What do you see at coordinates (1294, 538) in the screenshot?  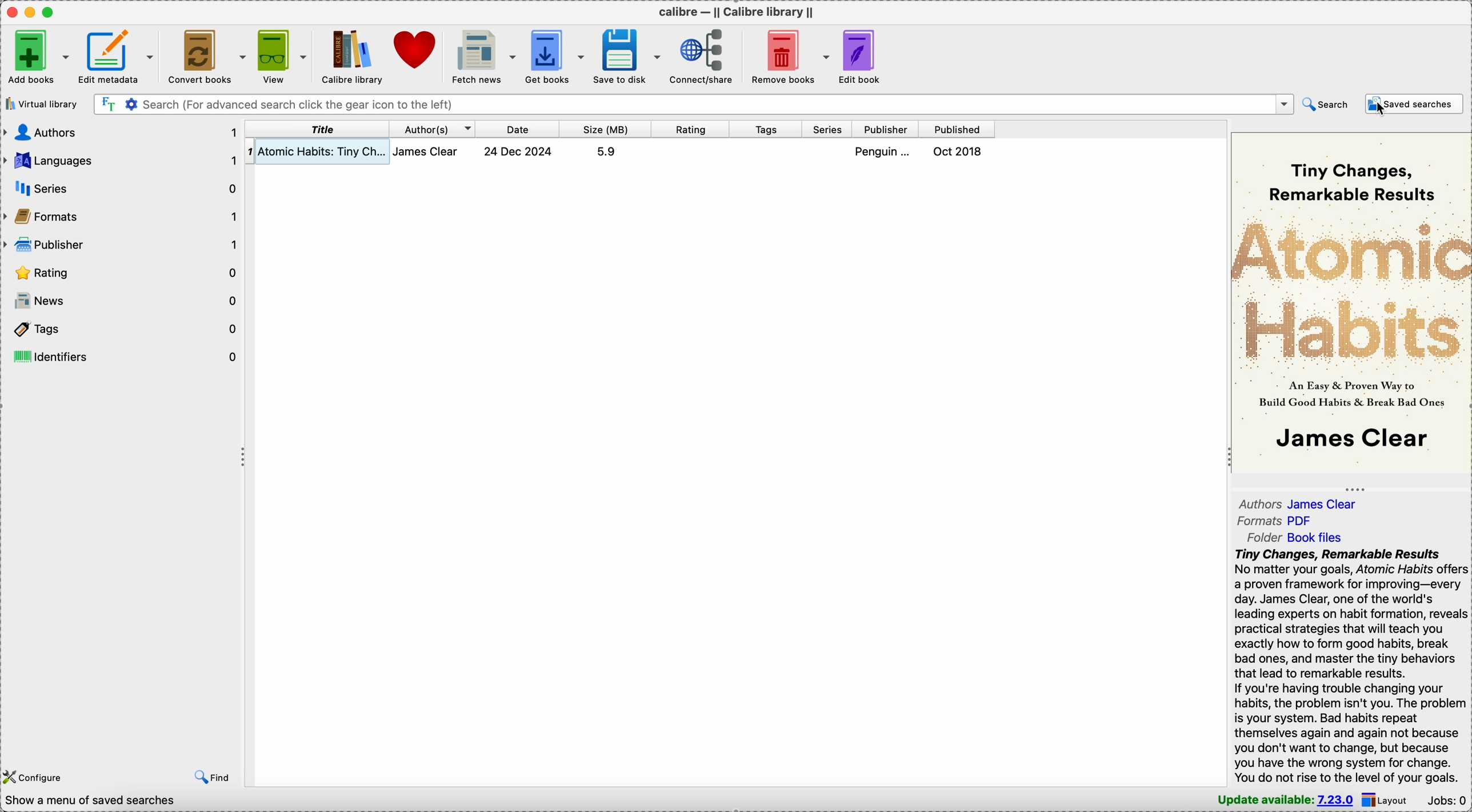 I see `folder Book files` at bounding box center [1294, 538].